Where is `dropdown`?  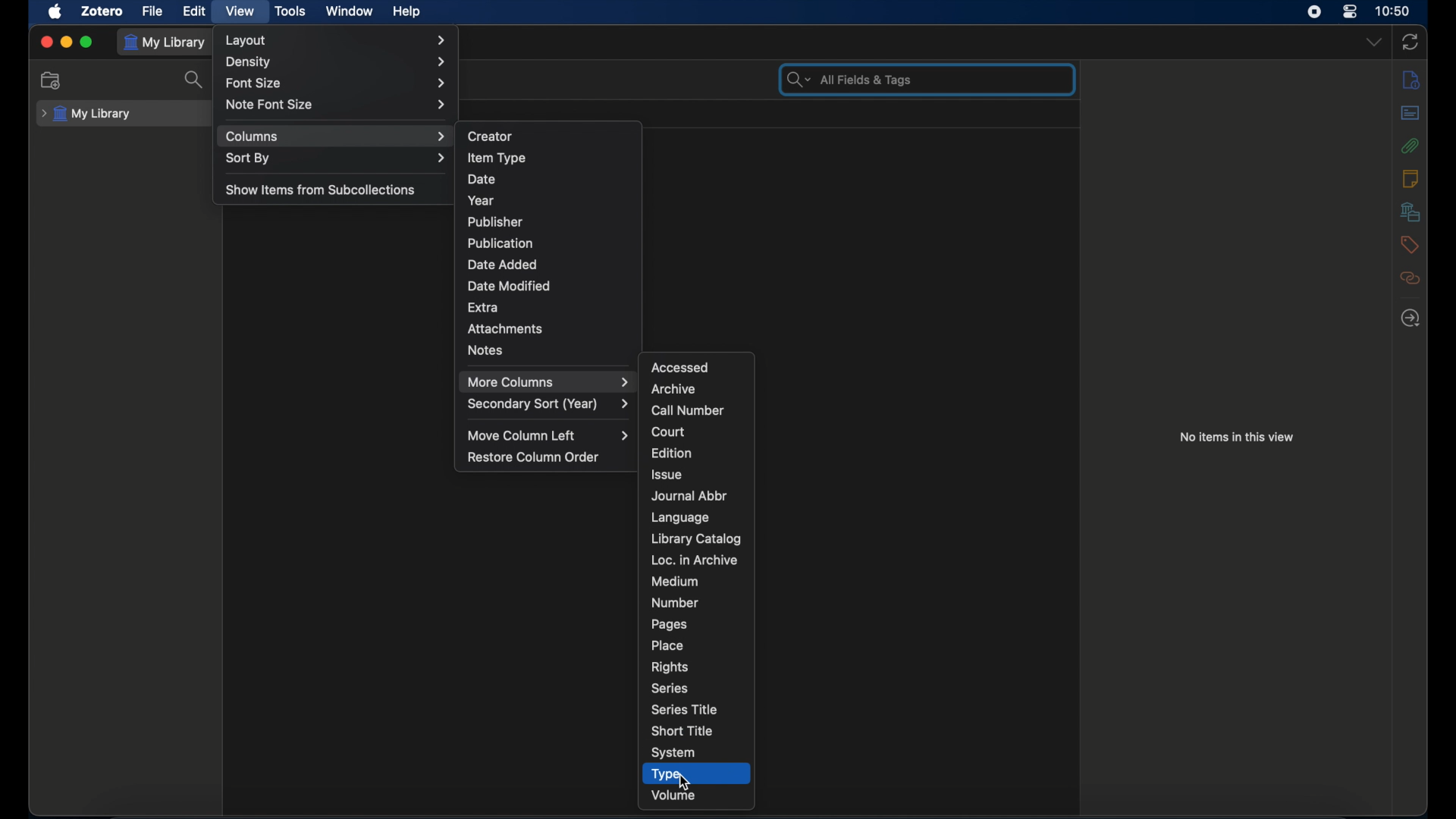
dropdown is located at coordinates (1374, 41).